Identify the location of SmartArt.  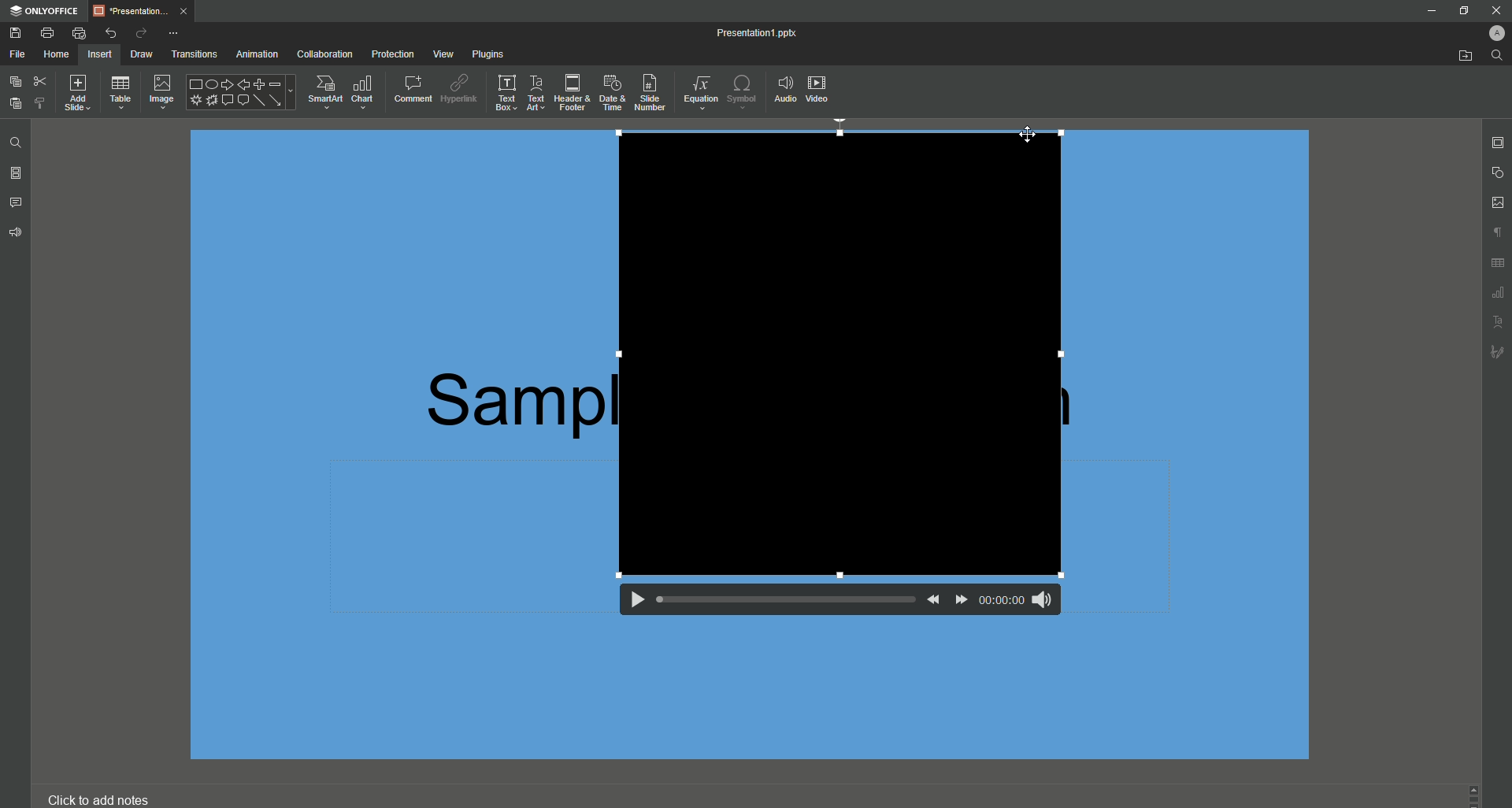
(324, 91).